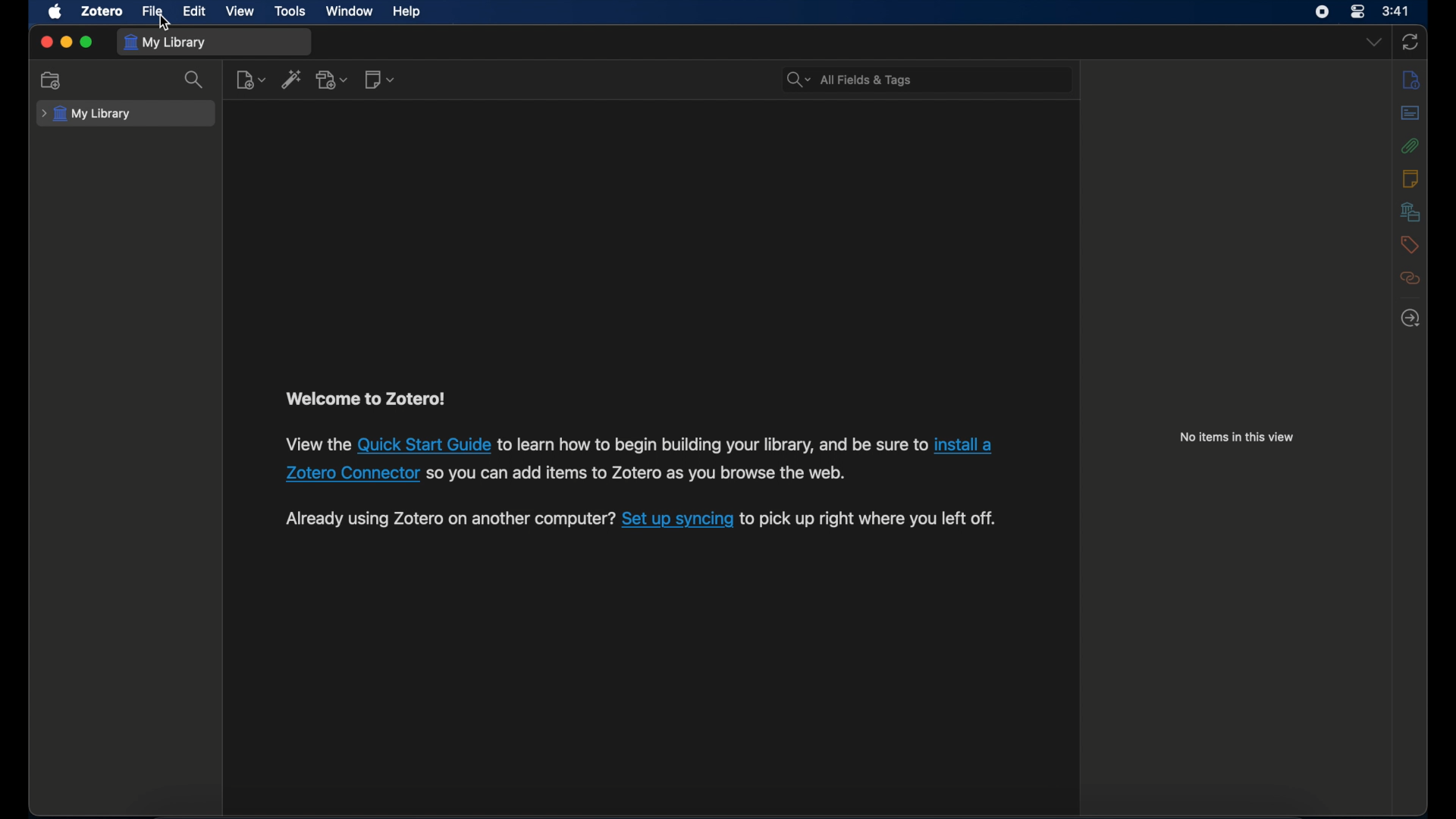  What do you see at coordinates (290, 11) in the screenshot?
I see `tools` at bounding box center [290, 11].